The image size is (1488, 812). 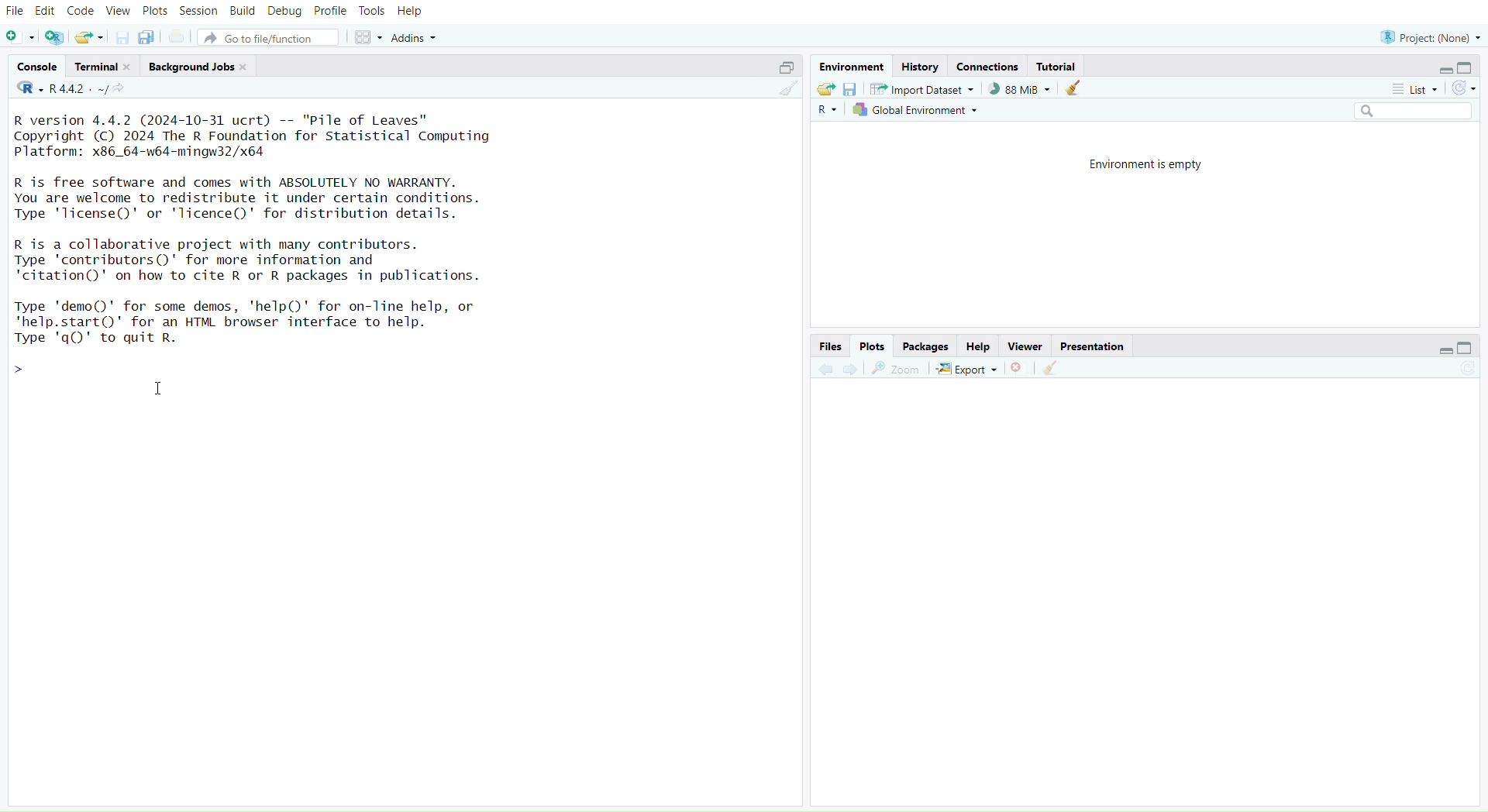 What do you see at coordinates (285, 12) in the screenshot?
I see `debug` at bounding box center [285, 12].